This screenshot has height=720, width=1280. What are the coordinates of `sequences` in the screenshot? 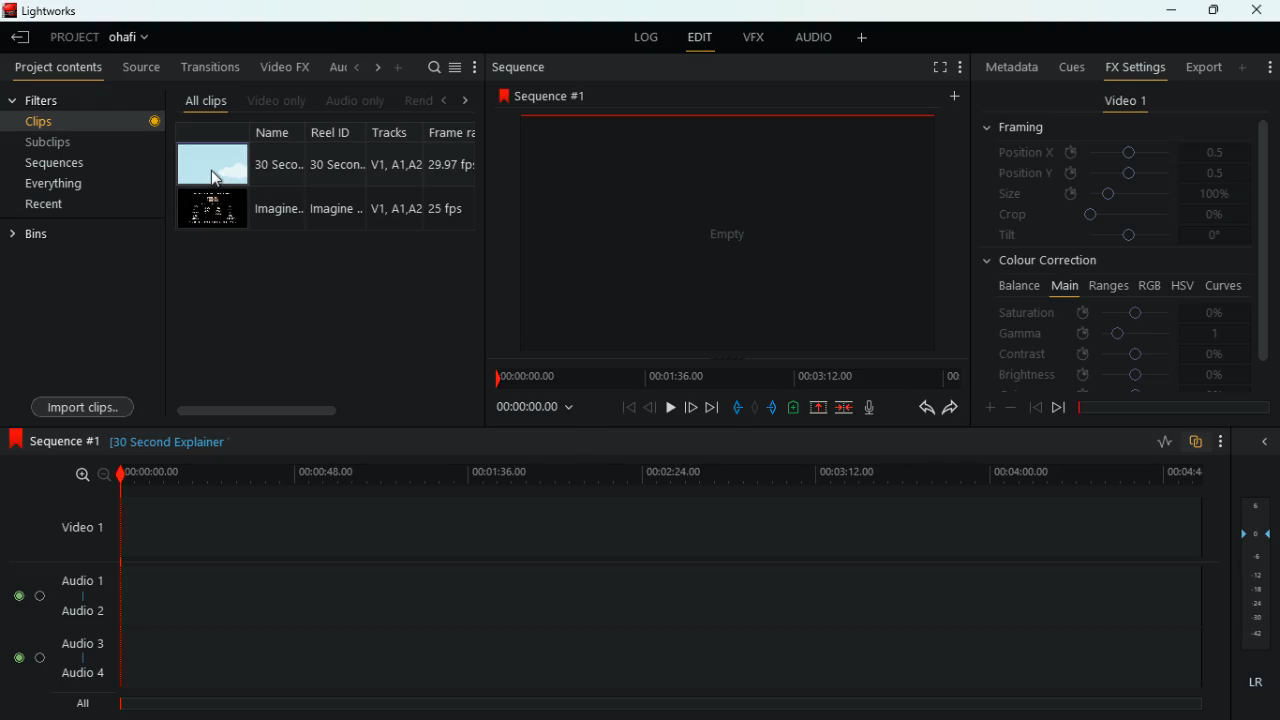 It's located at (66, 165).